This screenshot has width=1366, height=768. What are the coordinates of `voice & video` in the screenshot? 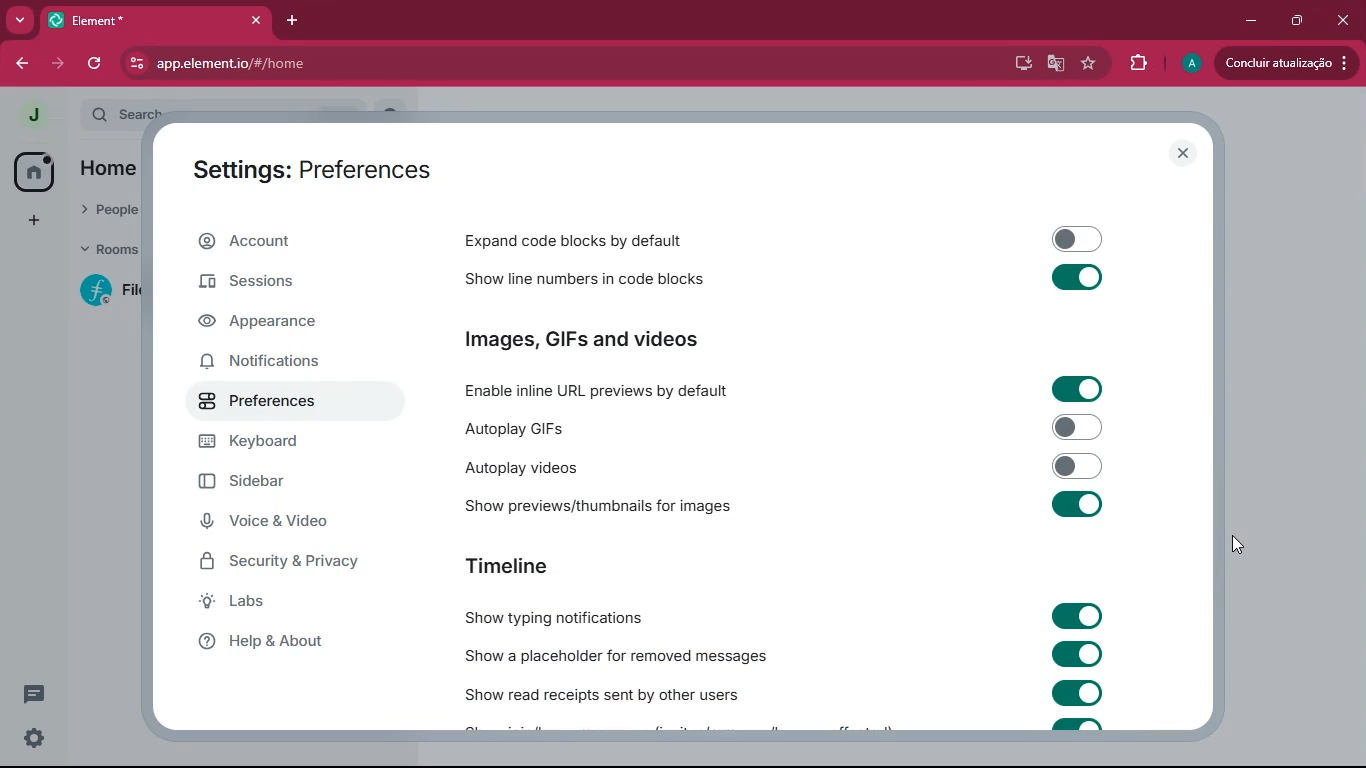 It's located at (281, 522).